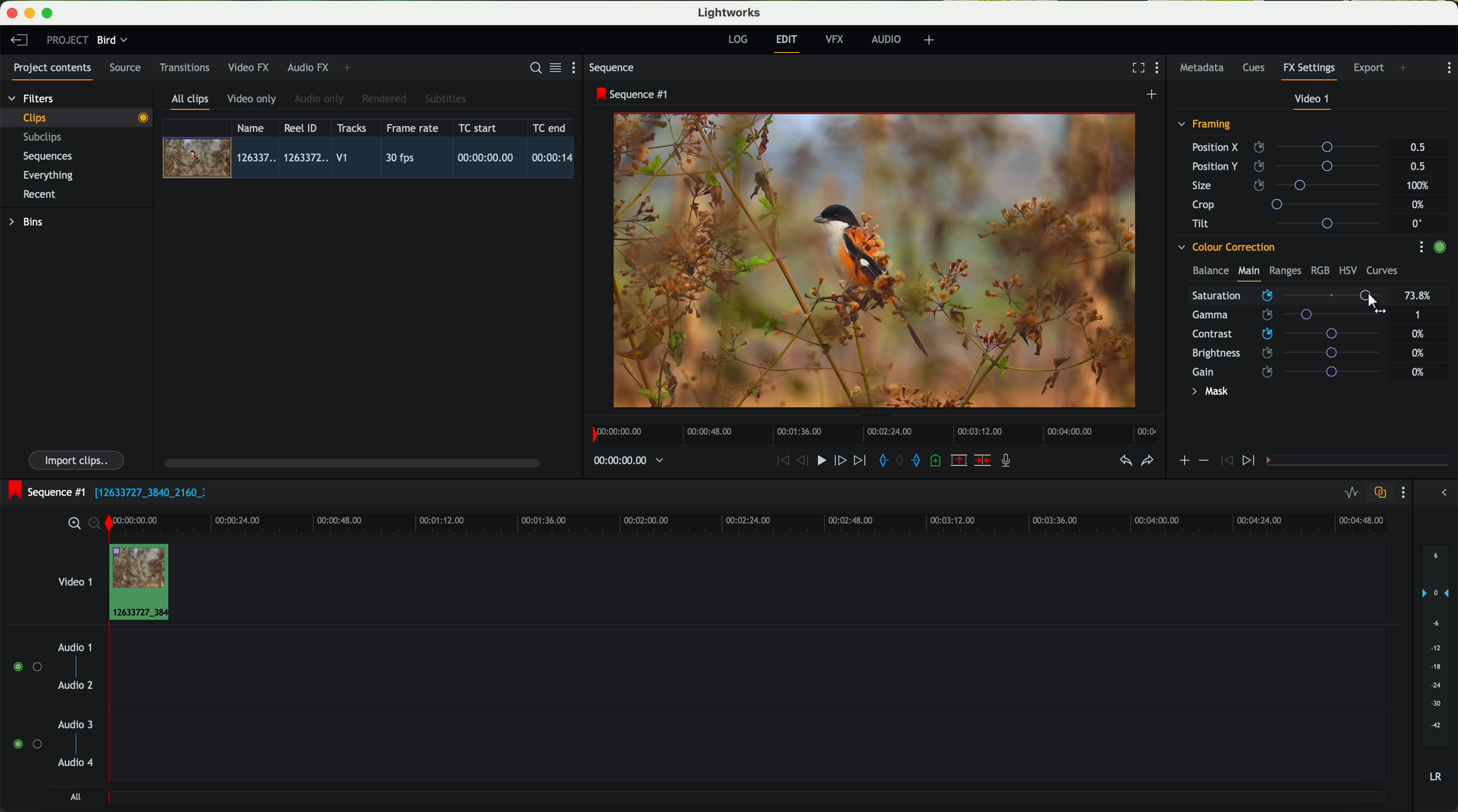 Image resolution: width=1458 pixels, height=812 pixels. What do you see at coordinates (255, 128) in the screenshot?
I see `name` at bounding box center [255, 128].